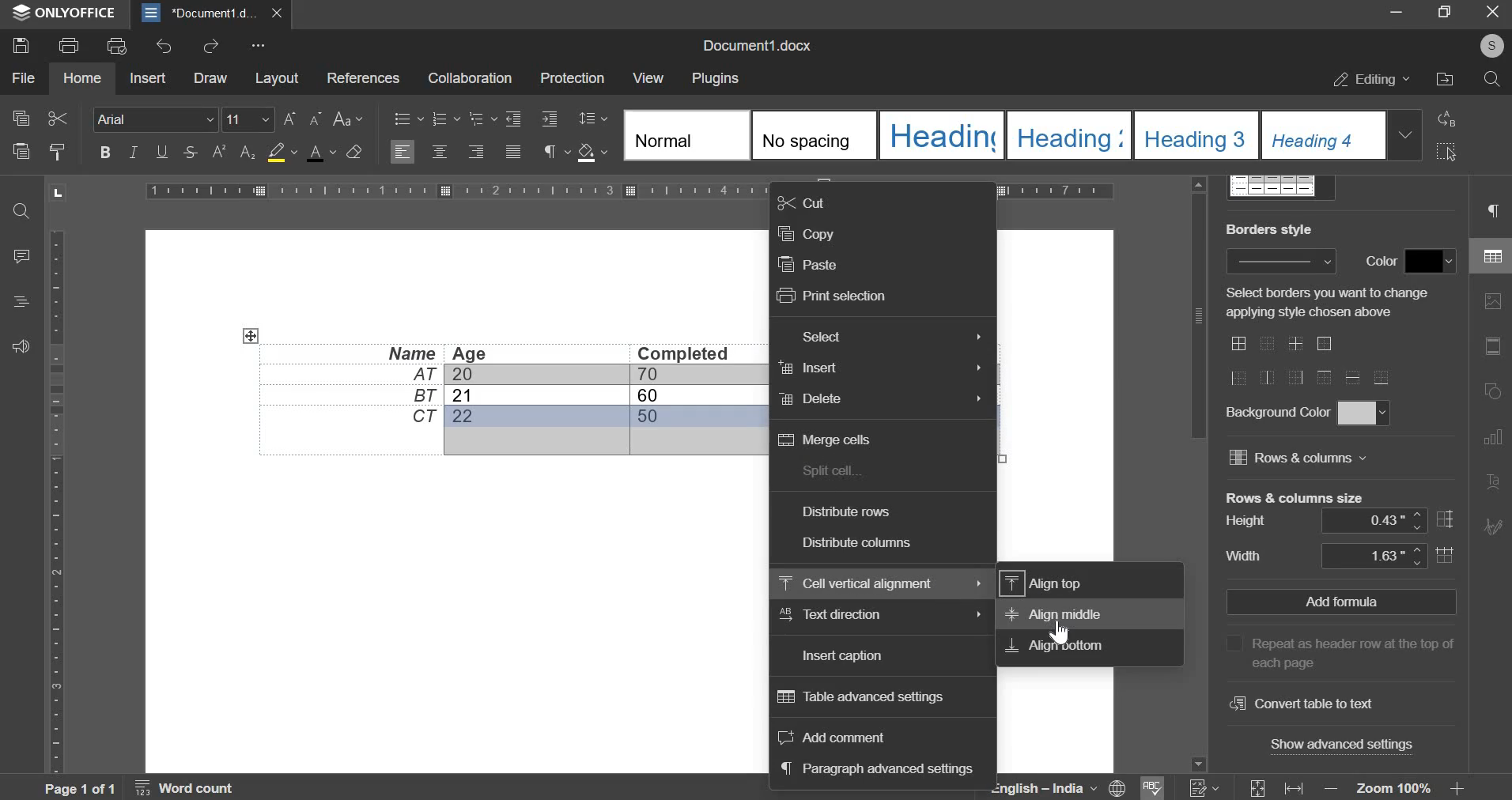 This screenshot has width=1512, height=800. What do you see at coordinates (809, 398) in the screenshot?
I see `delete` at bounding box center [809, 398].